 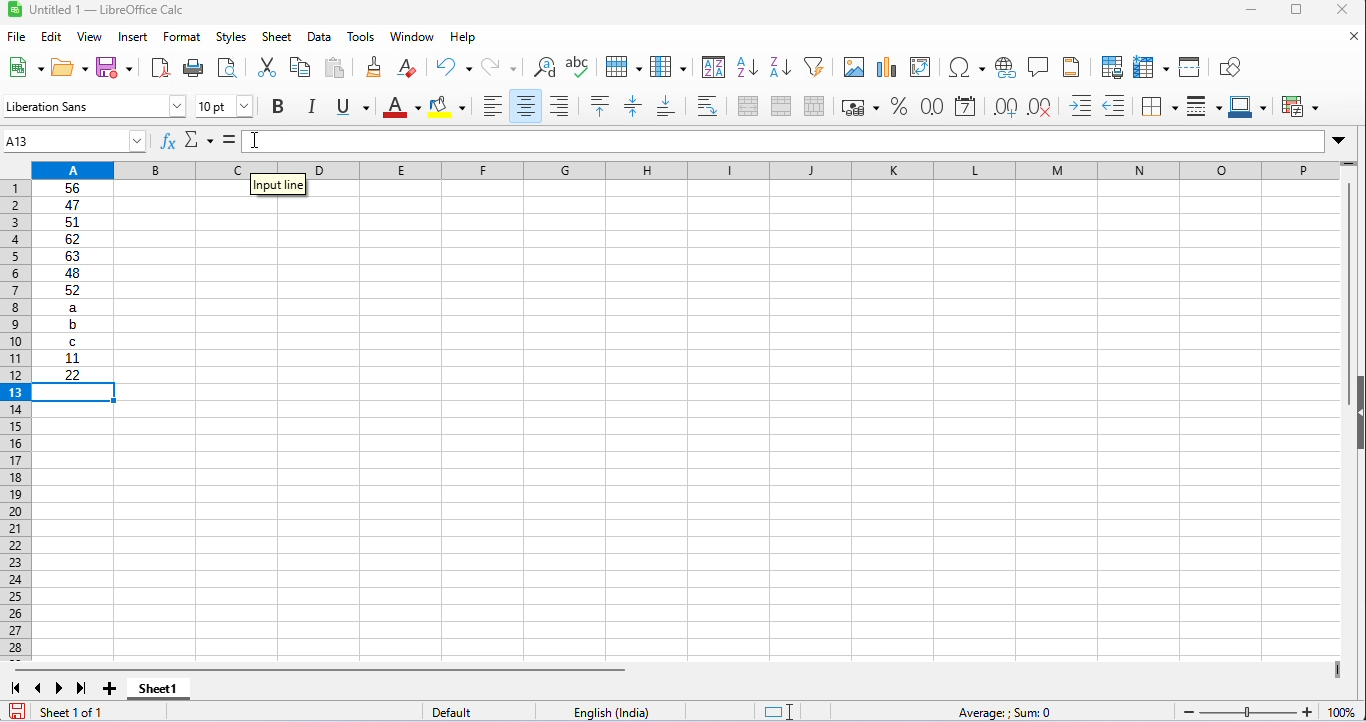 What do you see at coordinates (1159, 107) in the screenshot?
I see `border` at bounding box center [1159, 107].